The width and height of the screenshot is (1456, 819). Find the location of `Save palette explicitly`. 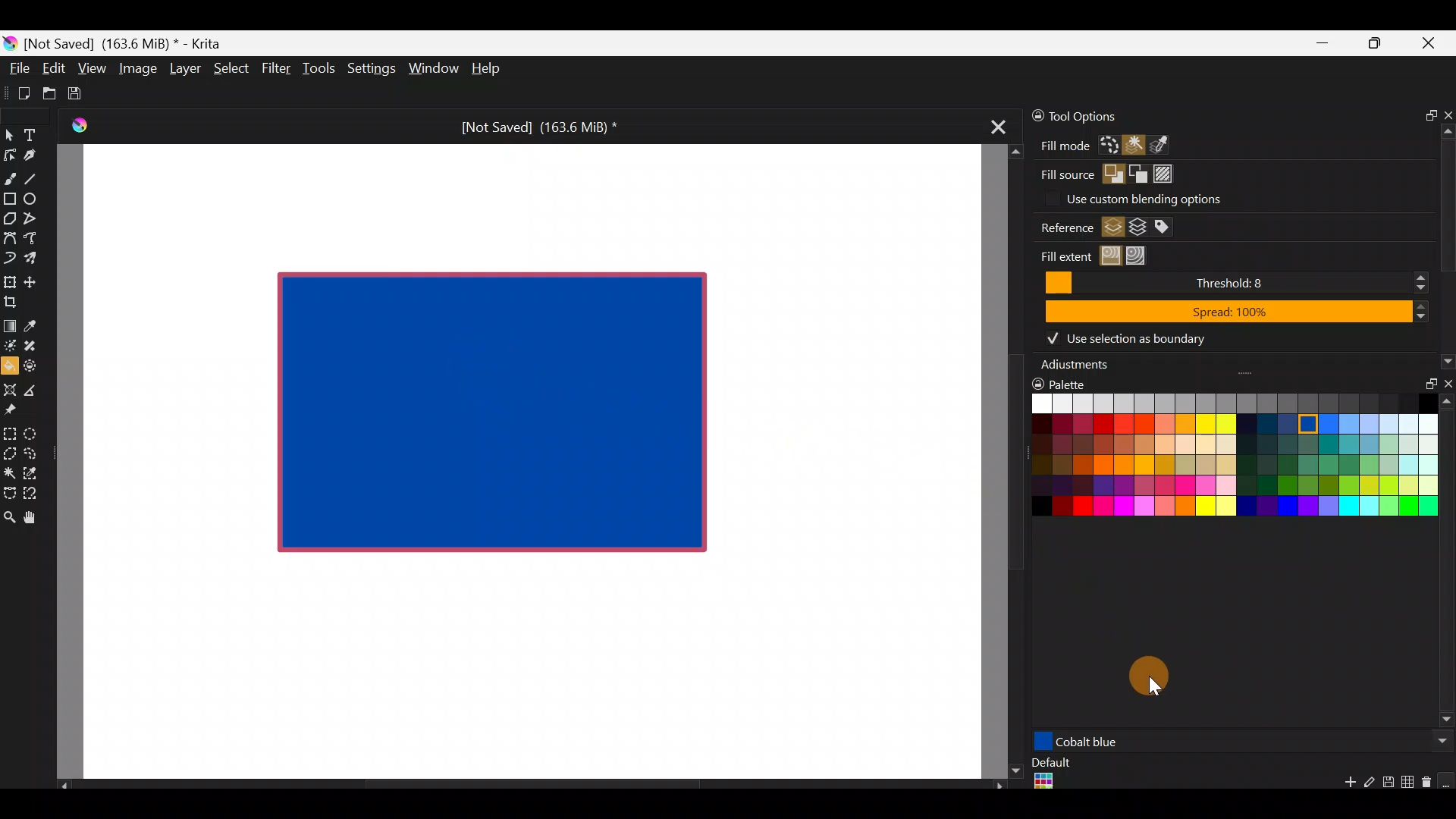

Save palette explicitly is located at coordinates (1387, 783).